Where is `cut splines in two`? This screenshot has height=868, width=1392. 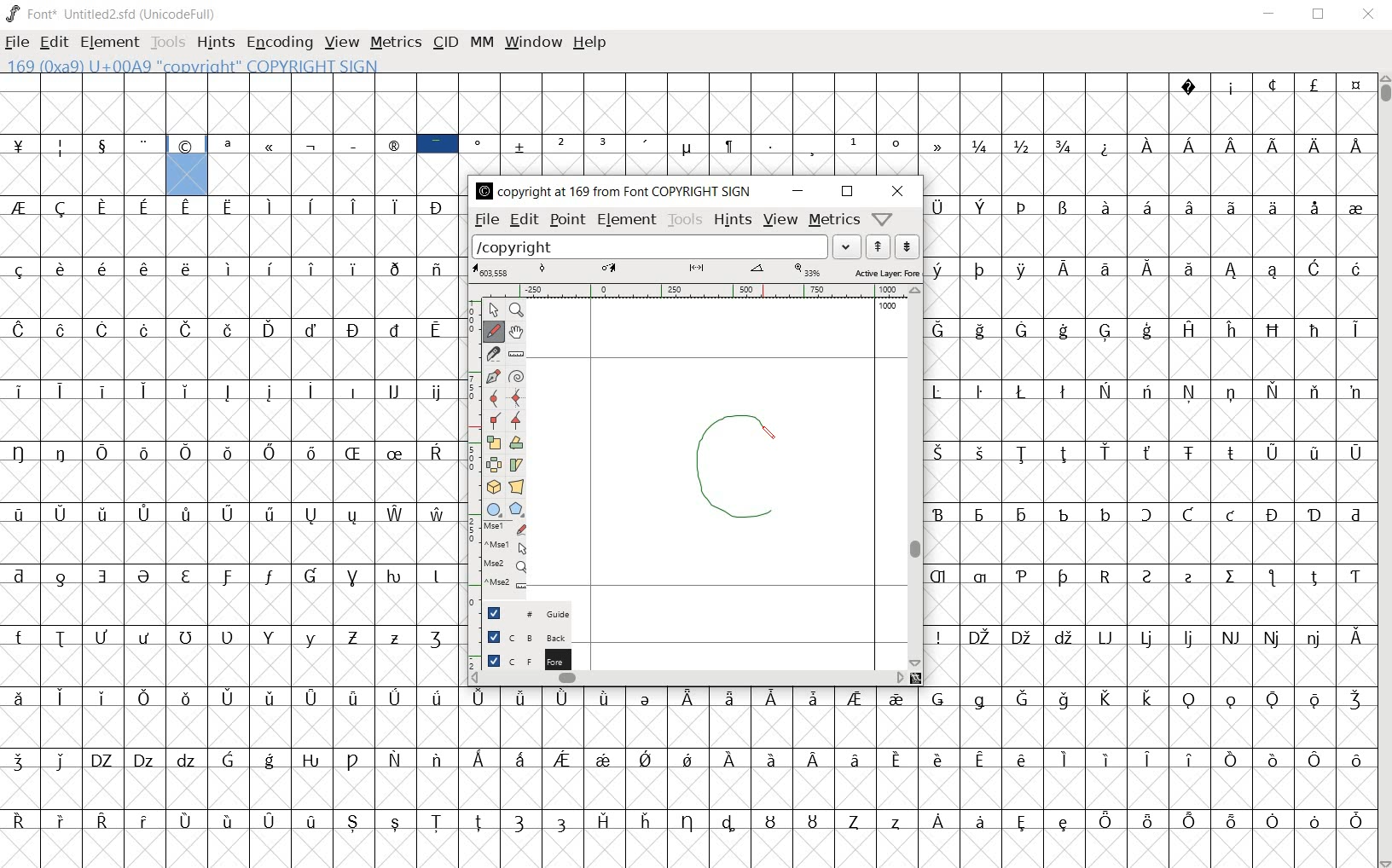
cut splines in two is located at coordinates (492, 353).